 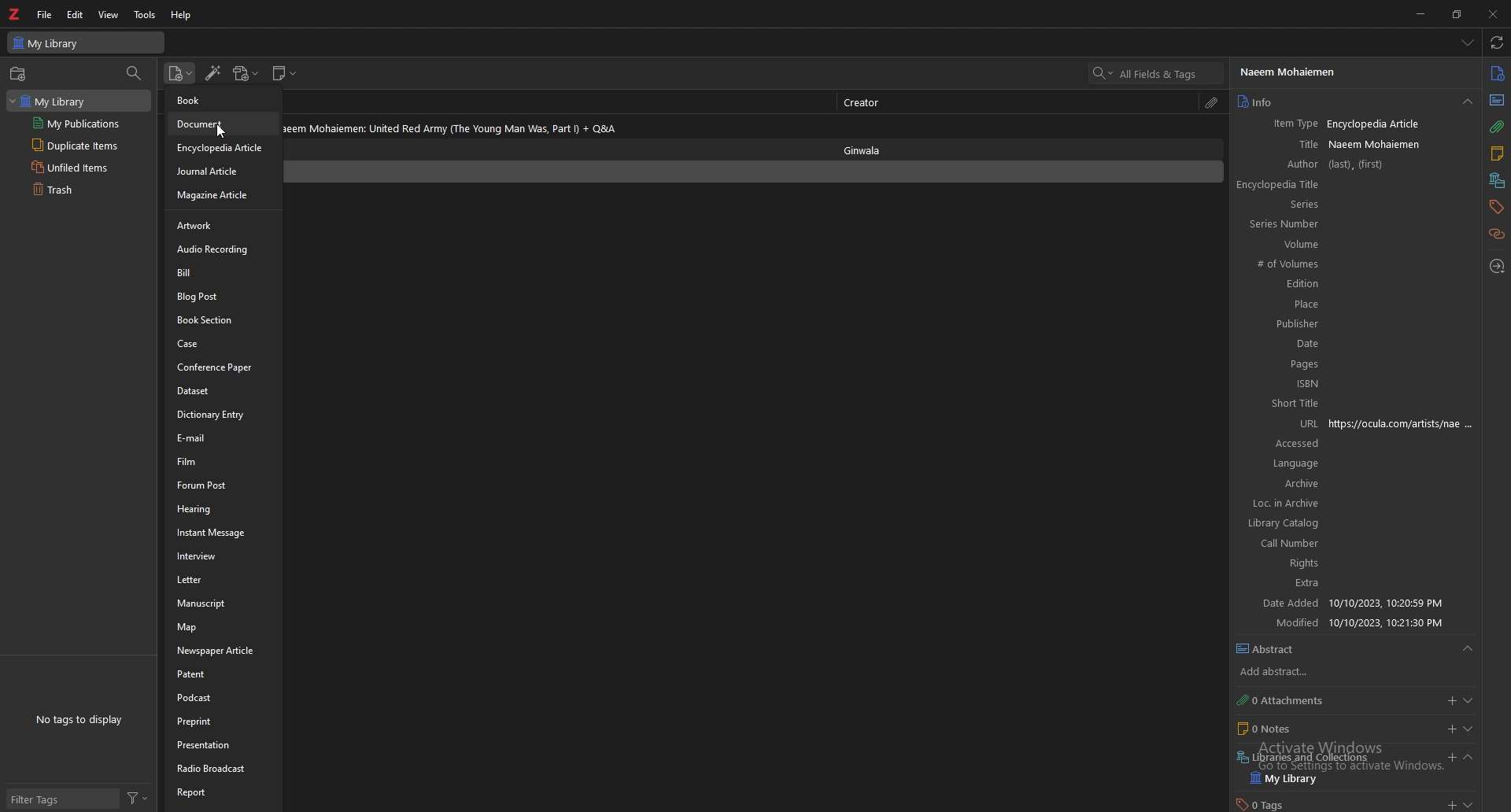 What do you see at coordinates (138, 798) in the screenshot?
I see `filter` at bounding box center [138, 798].